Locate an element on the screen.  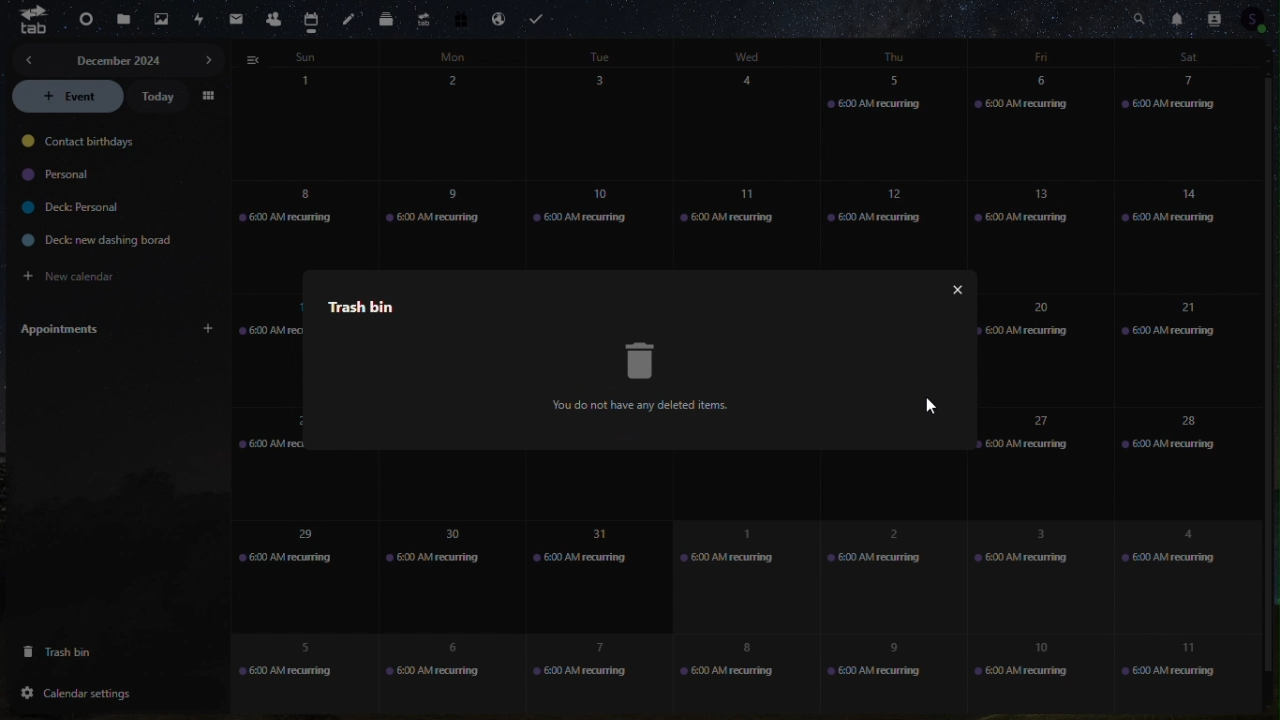
27 is located at coordinates (1034, 453).